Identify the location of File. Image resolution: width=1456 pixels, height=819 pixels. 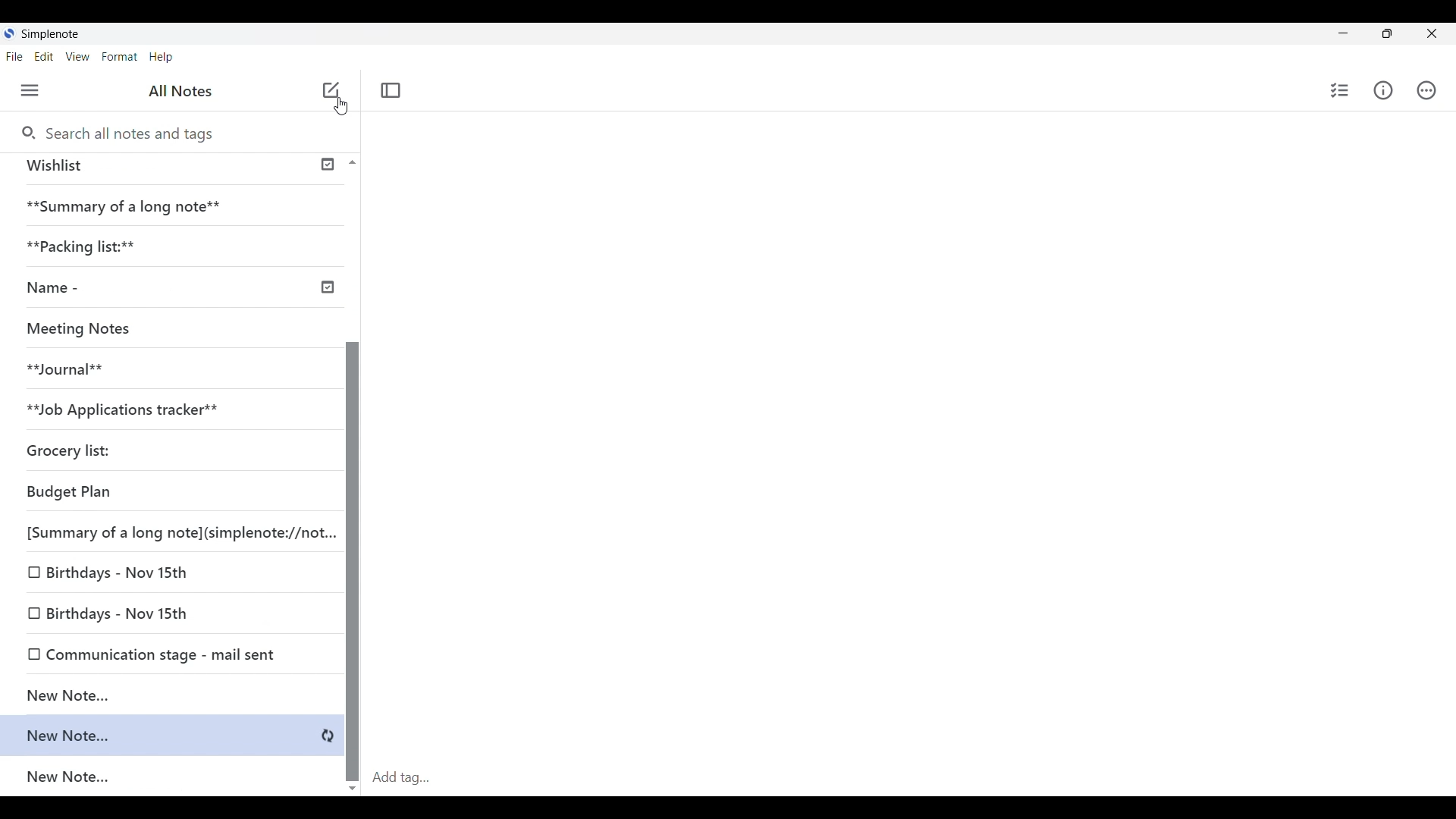
(17, 56).